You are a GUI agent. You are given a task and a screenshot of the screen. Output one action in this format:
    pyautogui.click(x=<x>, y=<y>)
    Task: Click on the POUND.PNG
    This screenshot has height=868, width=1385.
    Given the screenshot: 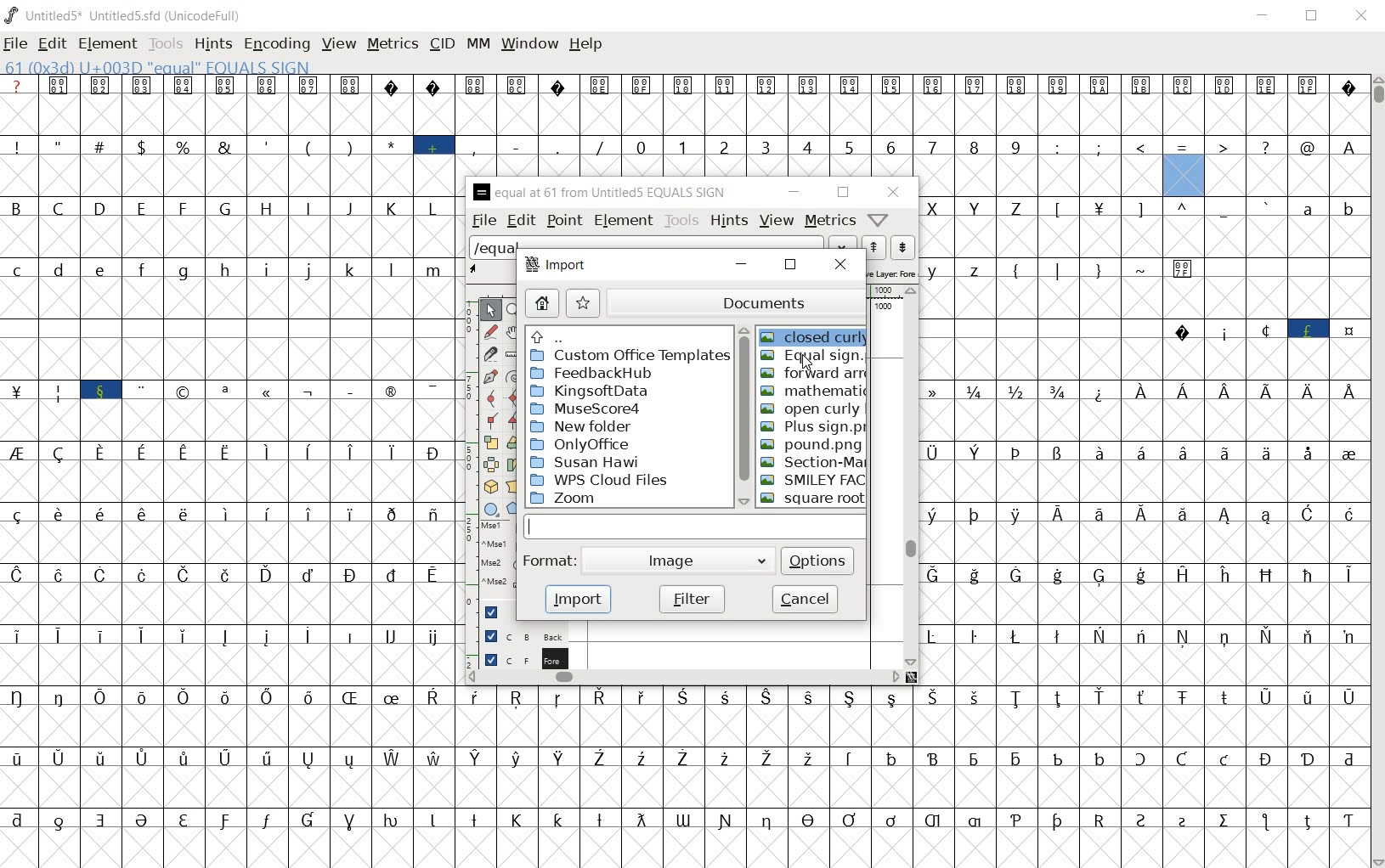 What is the action you would take?
    pyautogui.click(x=811, y=444)
    